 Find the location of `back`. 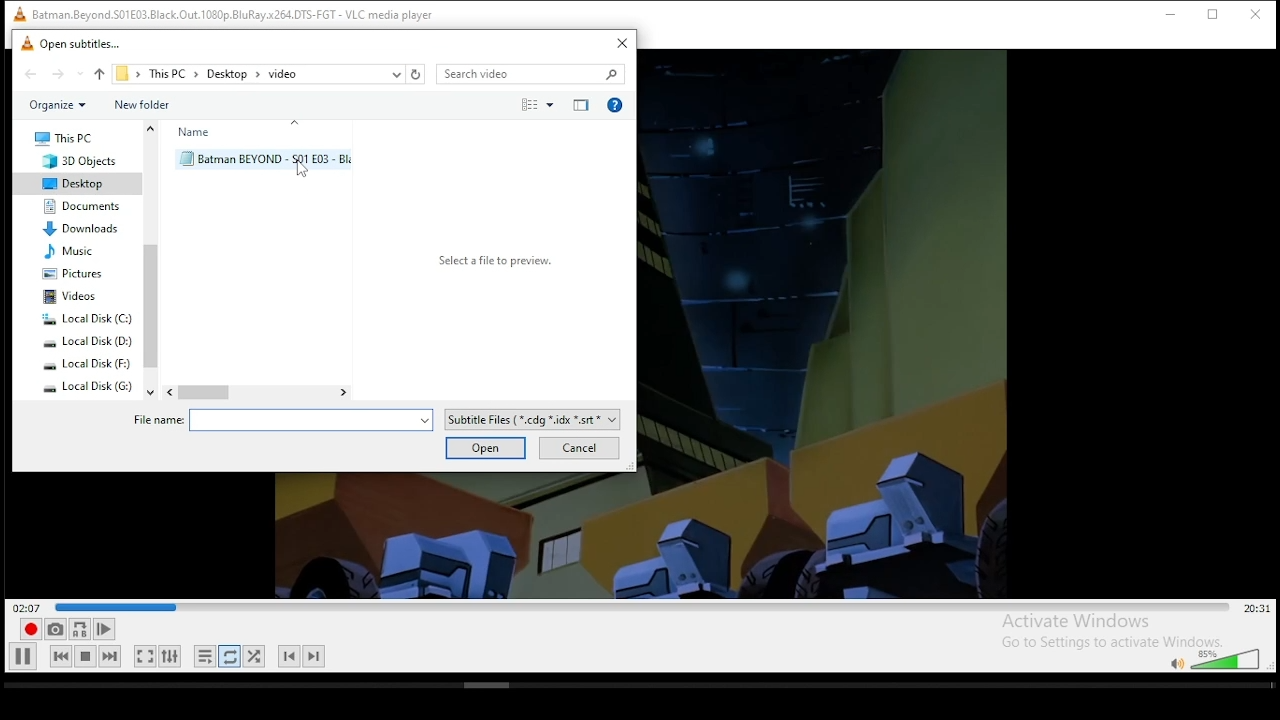

back is located at coordinates (30, 75).